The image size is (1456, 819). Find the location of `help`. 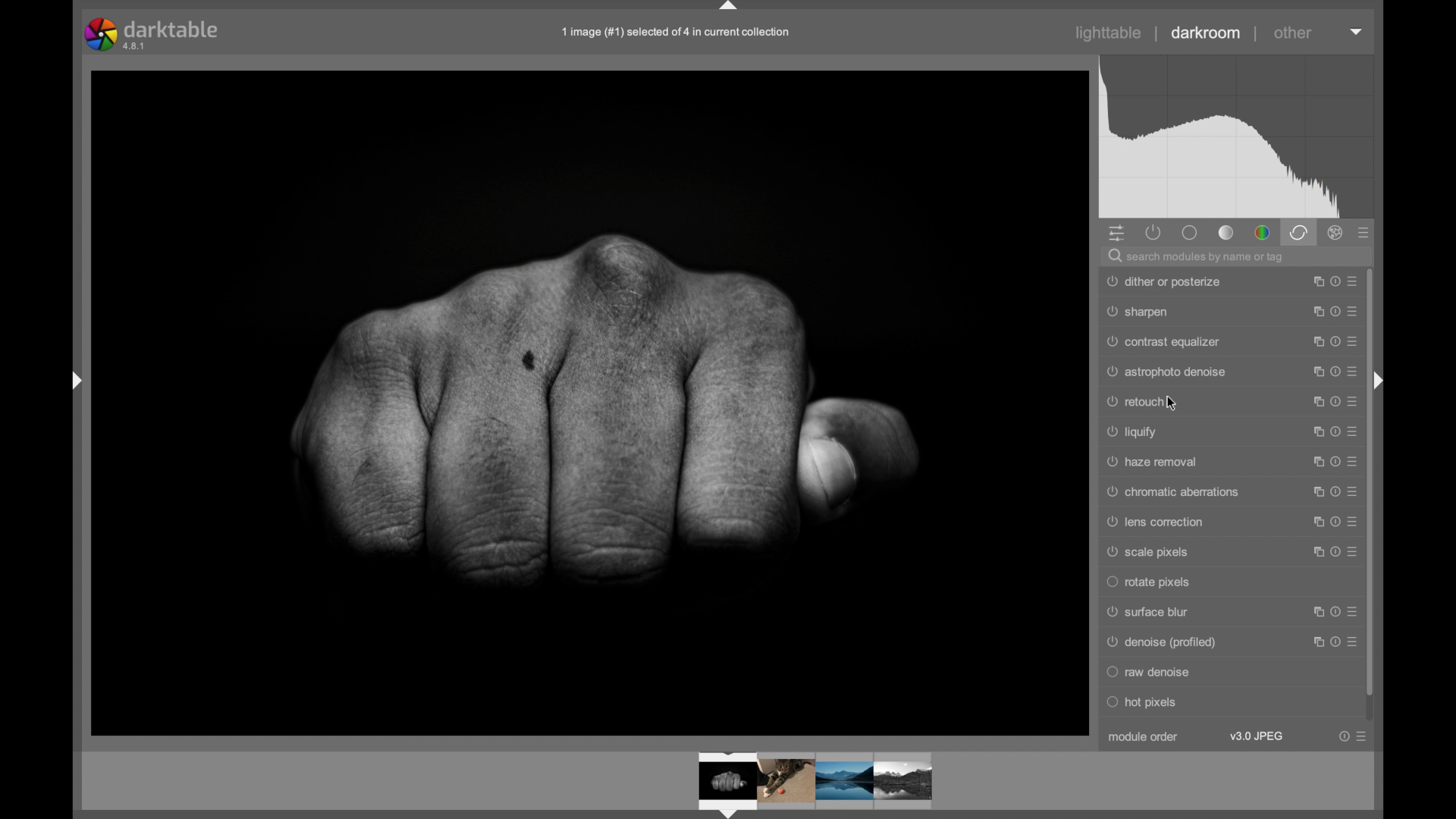

help is located at coordinates (1333, 281).